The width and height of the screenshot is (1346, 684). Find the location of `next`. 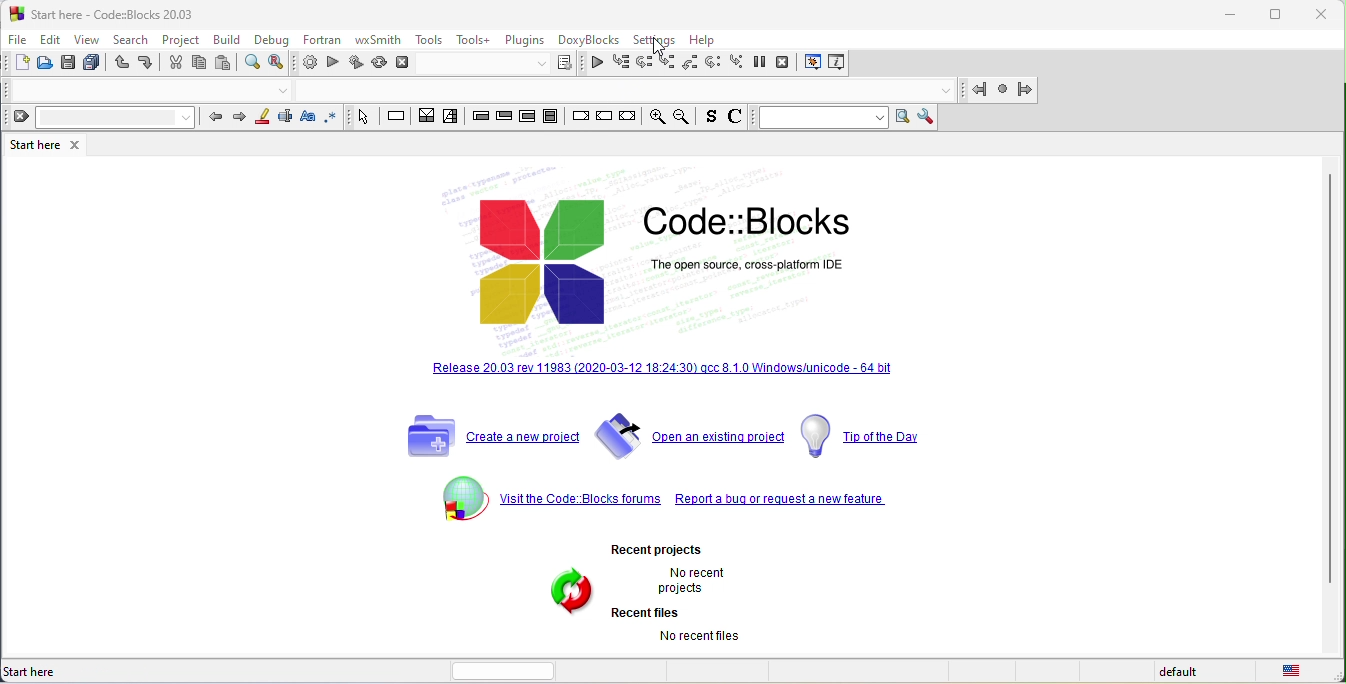

next is located at coordinates (244, 118).